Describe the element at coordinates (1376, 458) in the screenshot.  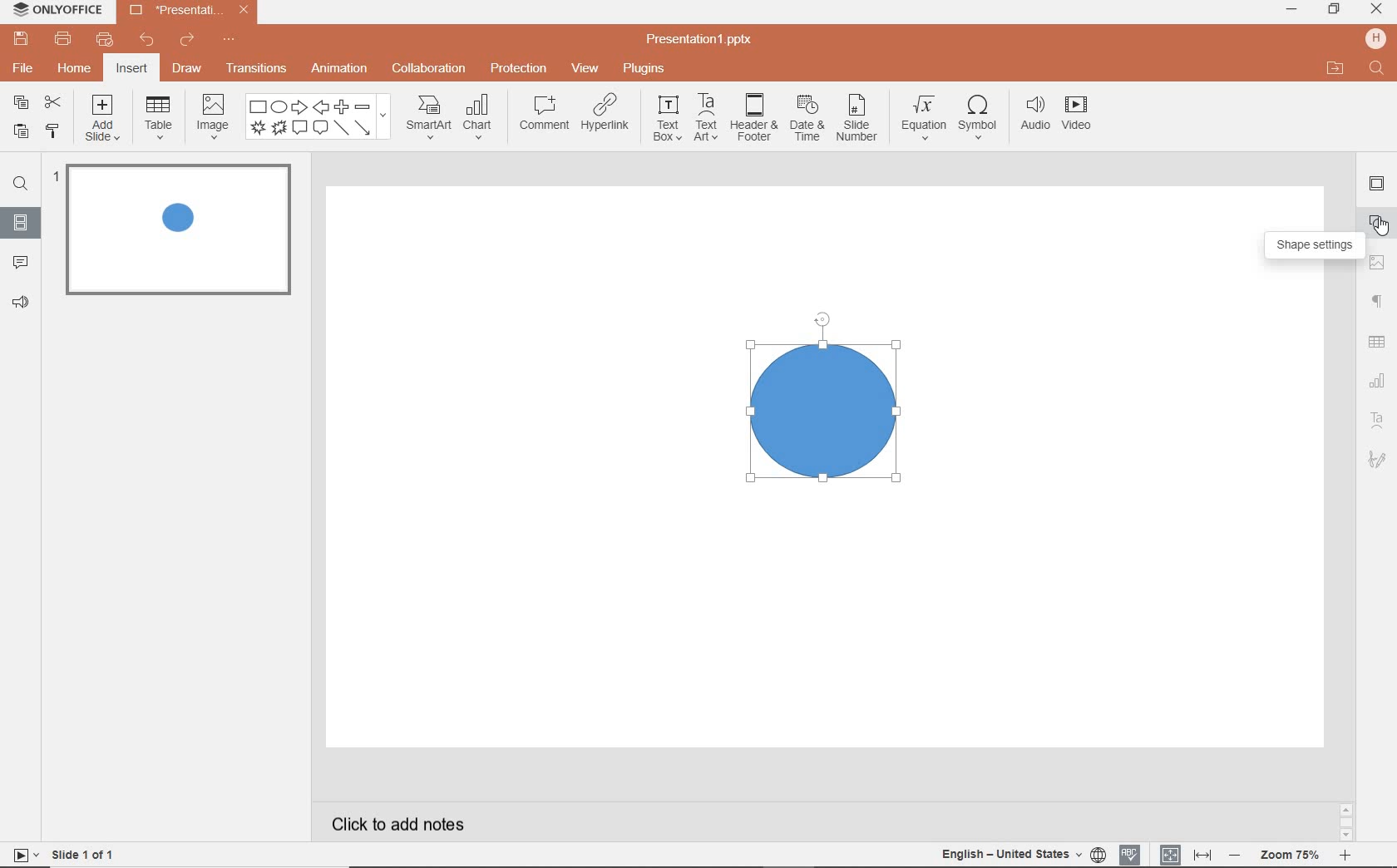
I see `signature` at that location.